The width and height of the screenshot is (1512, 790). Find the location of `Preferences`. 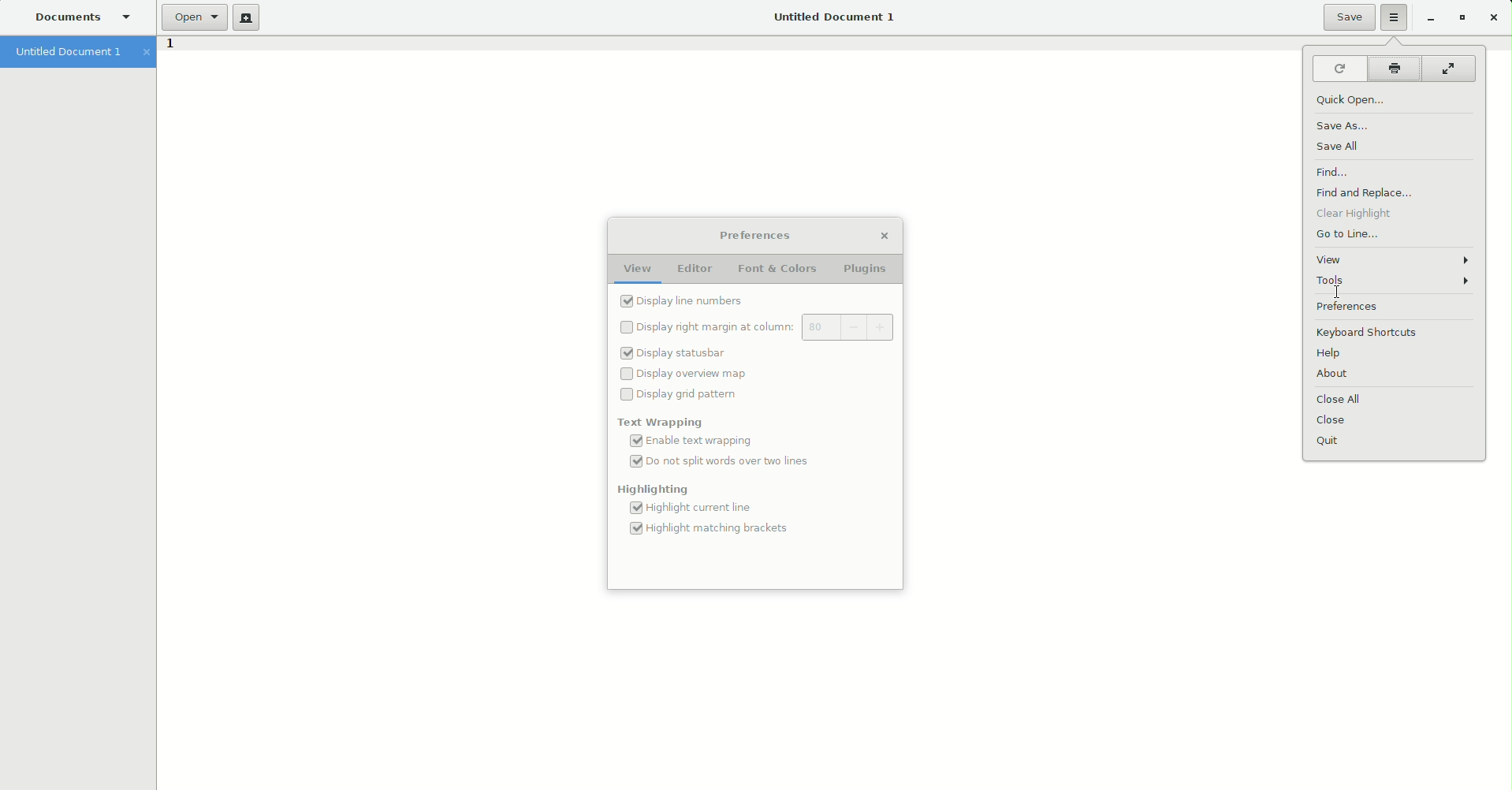

Preferences is located at coordinates (1362, 307).